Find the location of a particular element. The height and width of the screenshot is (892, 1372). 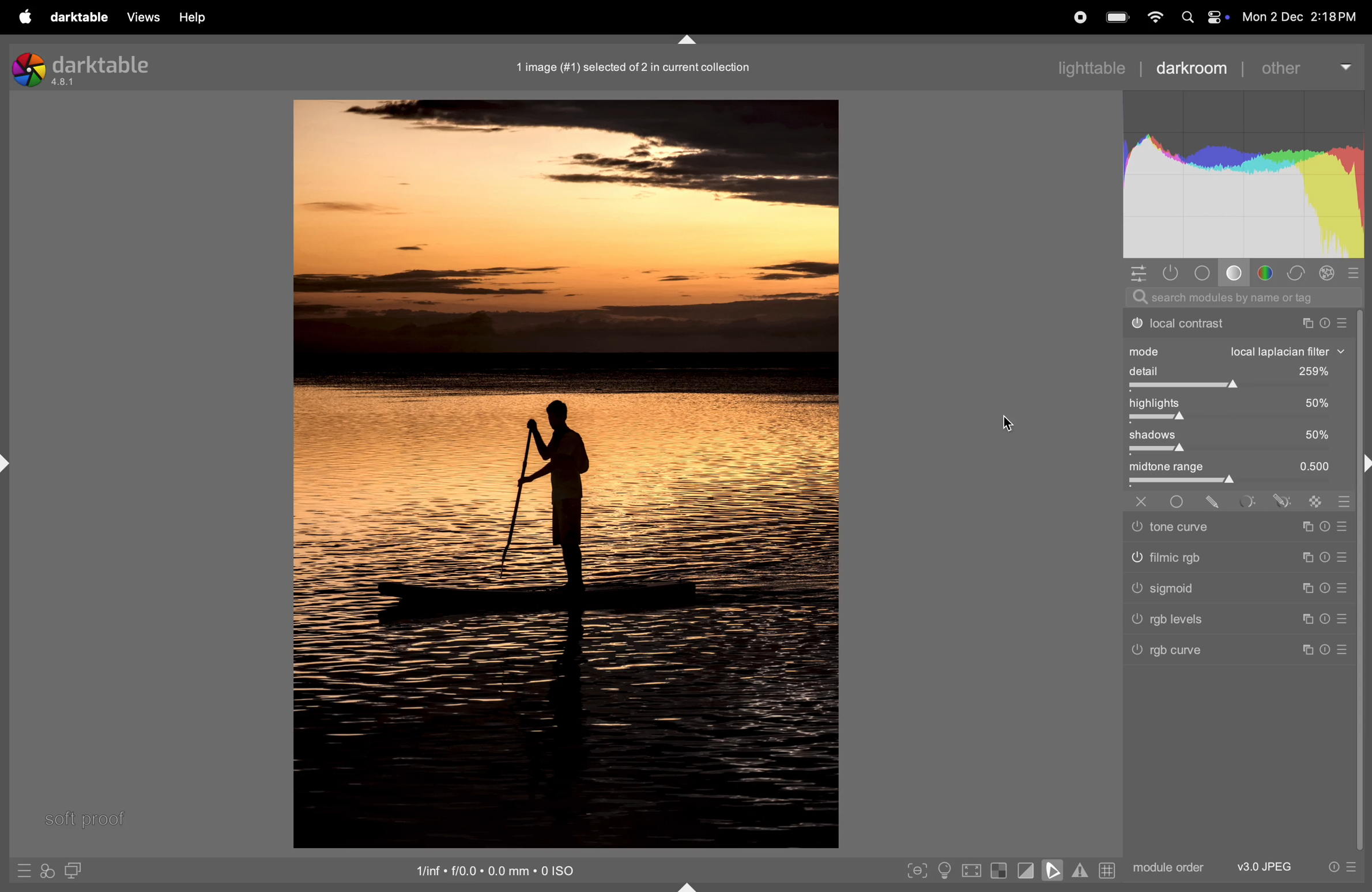

wifi is located at coordinates (1153, 17).